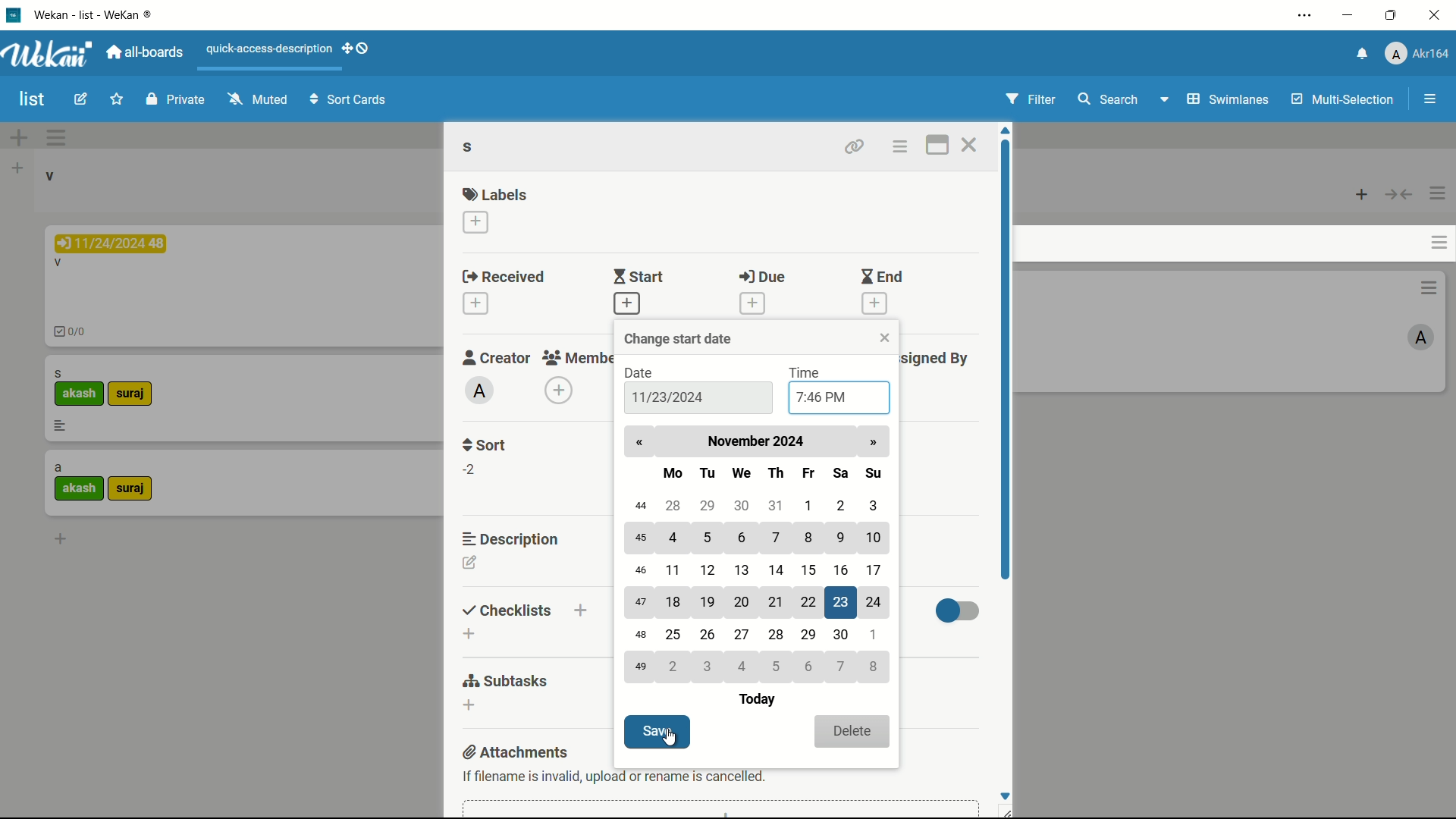 The width and height of the screenshot is (1456, 819). What do you see at coordinates (880, 278) in the screenshot?
I see `end` at bounding box center [880, 278].